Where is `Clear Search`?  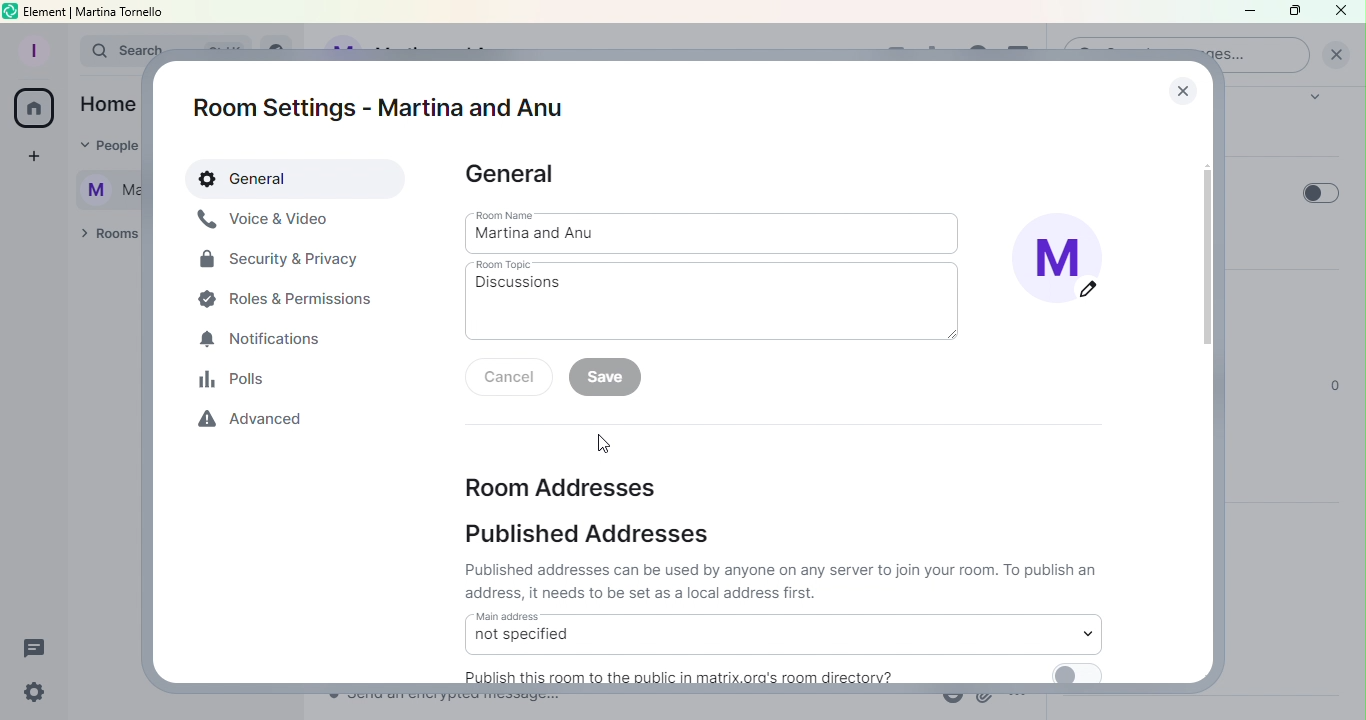
Clear Search is located at coordinates (1336, 55).